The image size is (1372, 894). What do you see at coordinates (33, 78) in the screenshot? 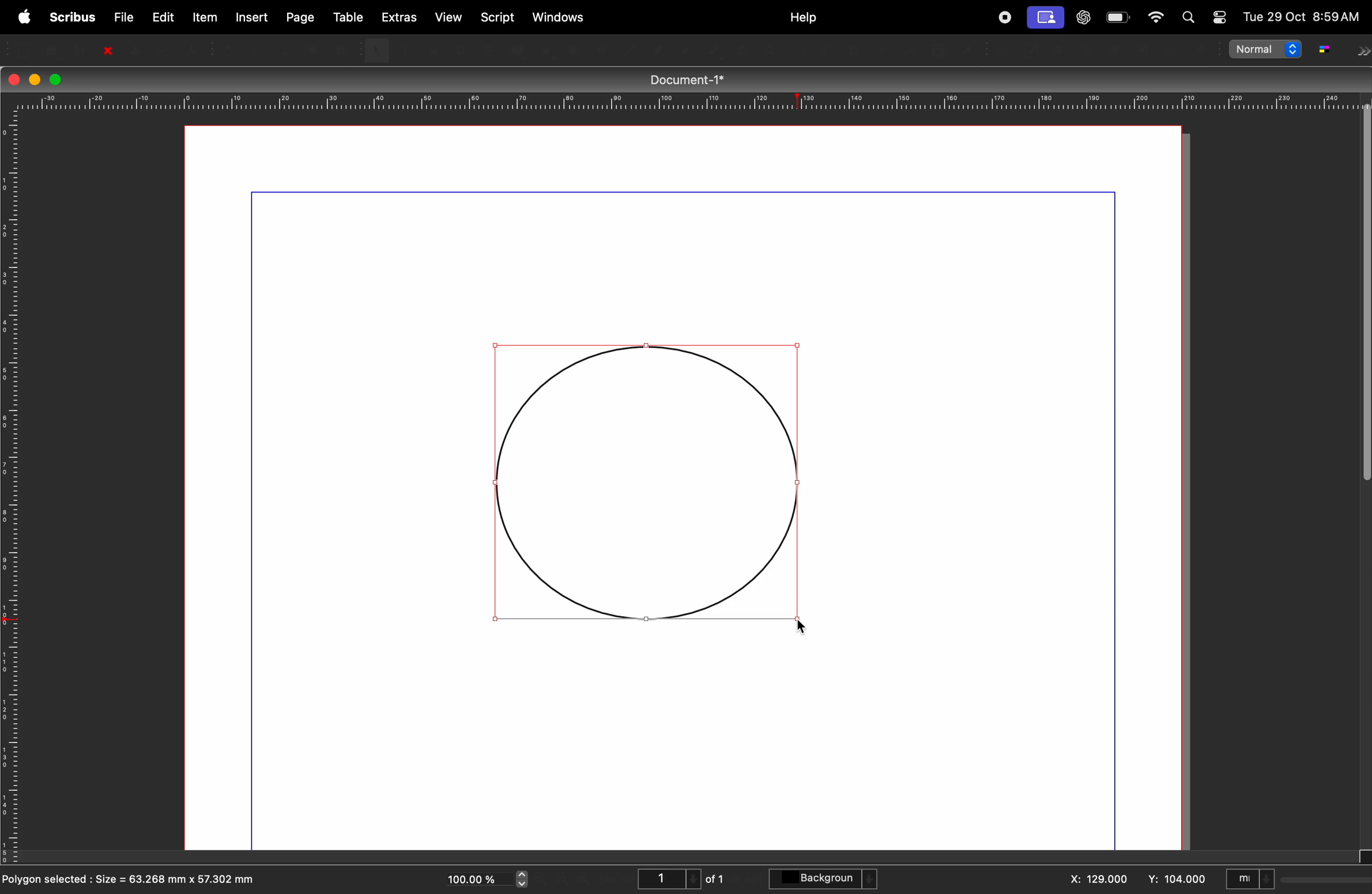
I see `minimize` at bounding box center [33, 78].